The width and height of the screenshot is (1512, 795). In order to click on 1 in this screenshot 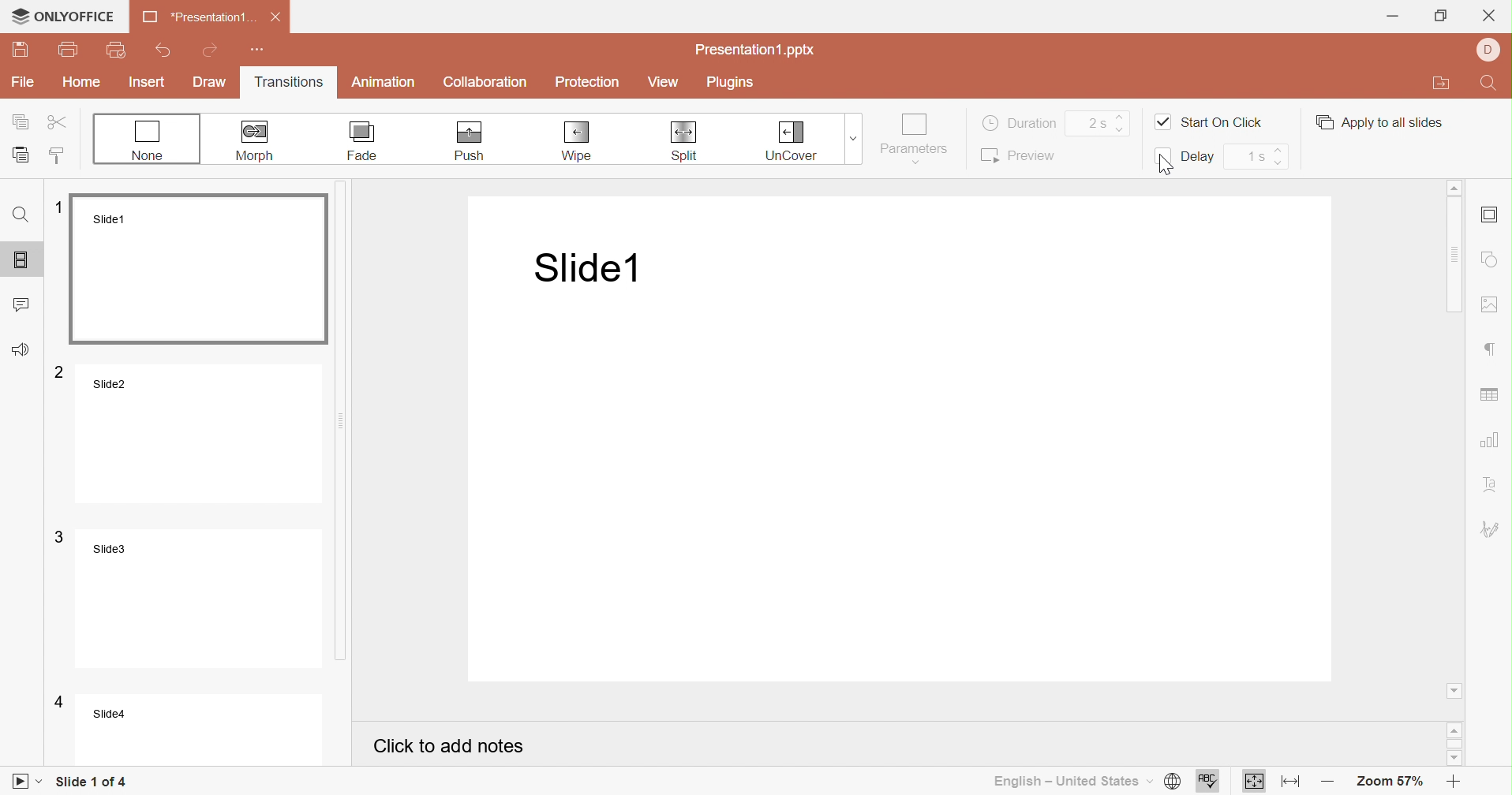, I will do `click(60, 204)`.